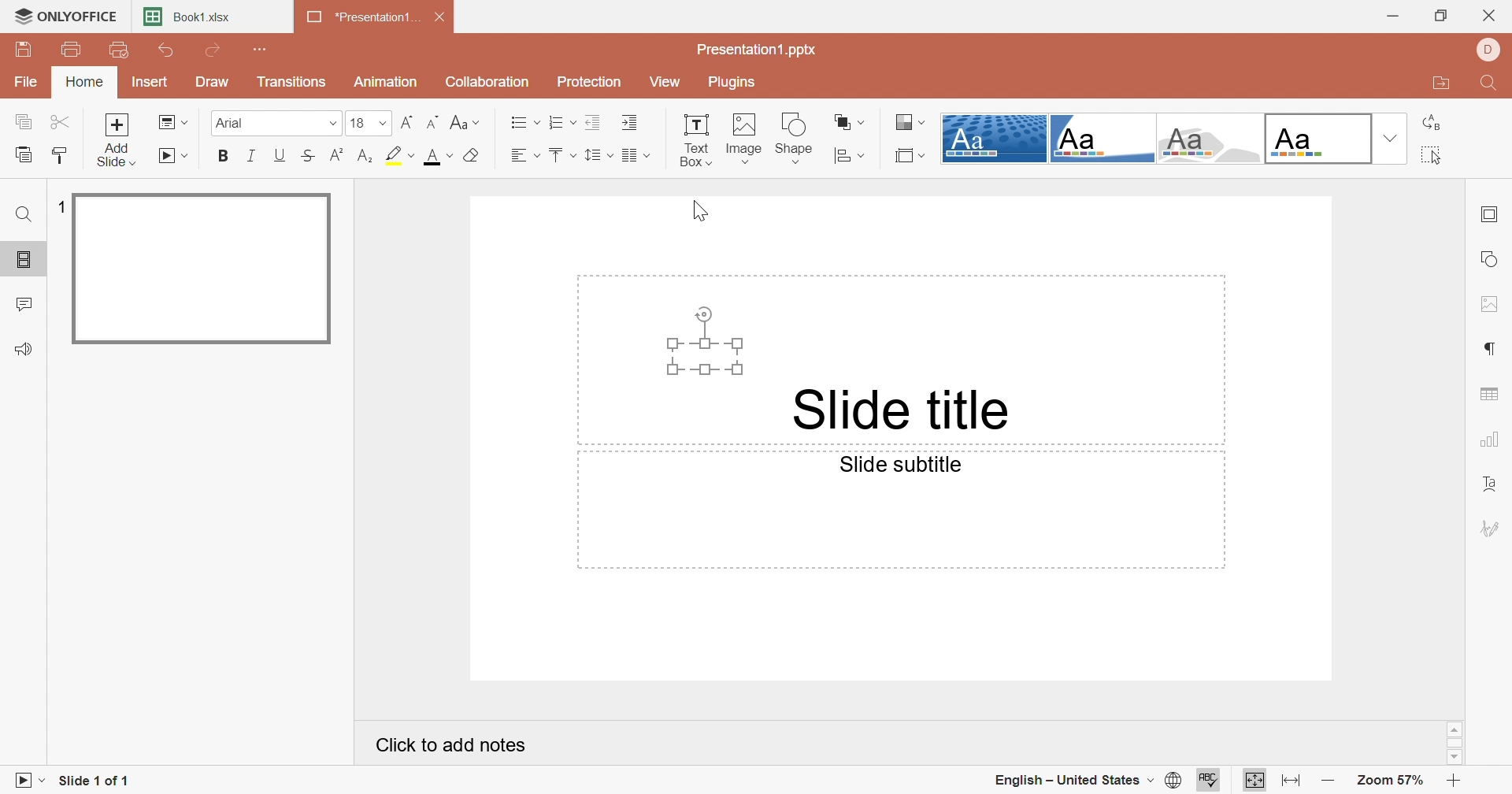 This screenshot has height=794, width=1512. What do you see at coordinates (1492, 486) in the screenshot?
I see `Text art settings` at bounding box center [1492, 486].